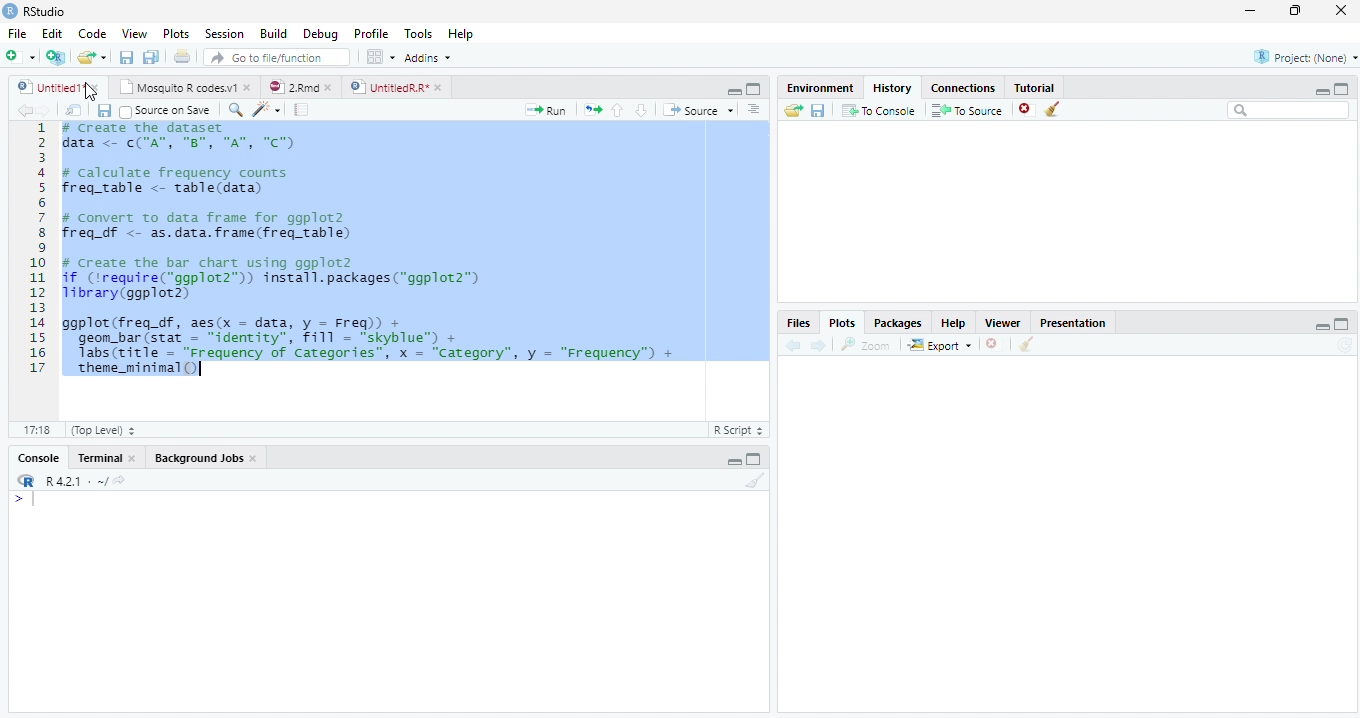 This screenshot has width=1360, height=718. Describe the element at coordinates (1323, 328) in the screenshot. I see `Minimize` at that location.